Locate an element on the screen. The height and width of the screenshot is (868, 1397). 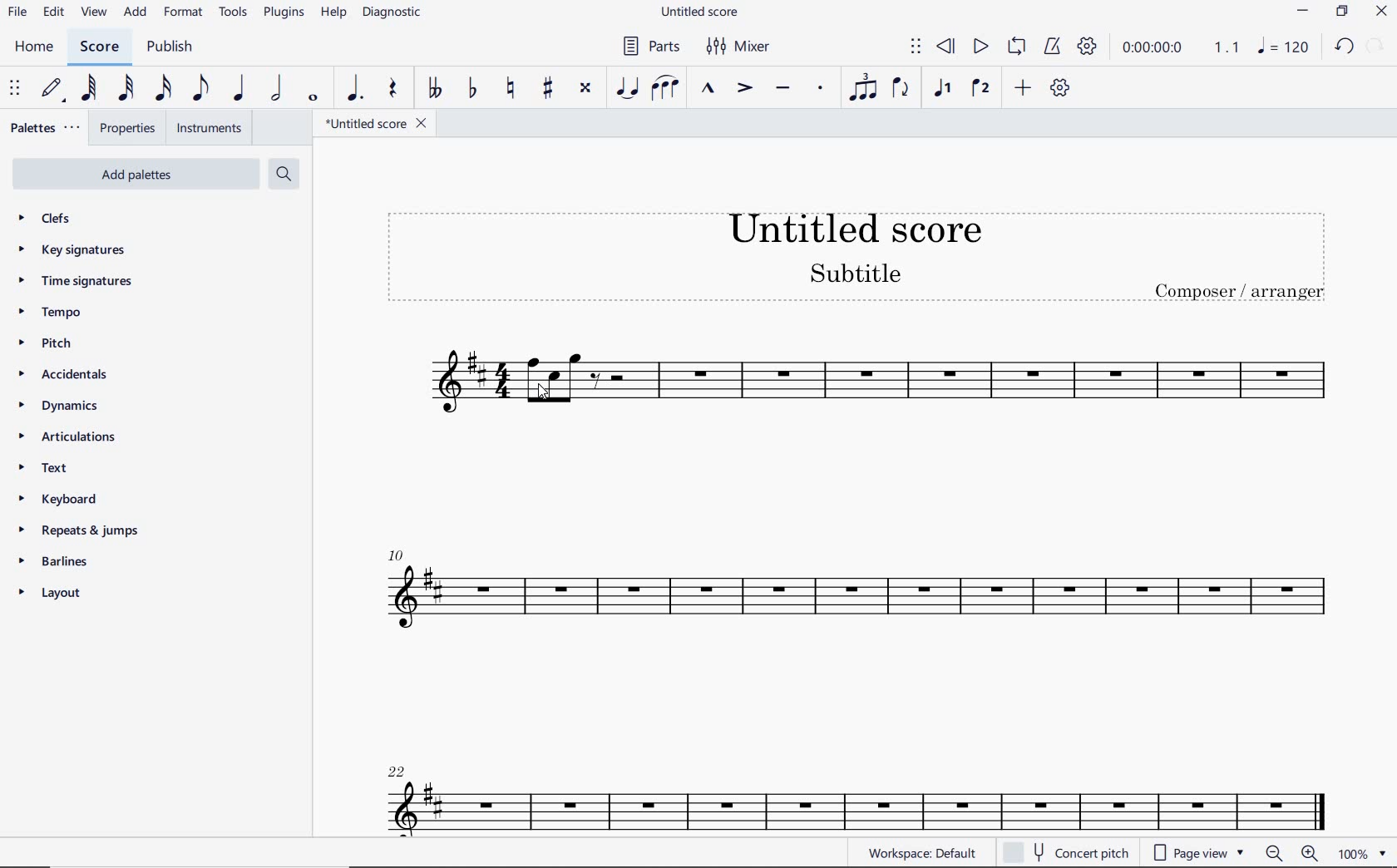
TENUTO is located at coordinates (783, 89).